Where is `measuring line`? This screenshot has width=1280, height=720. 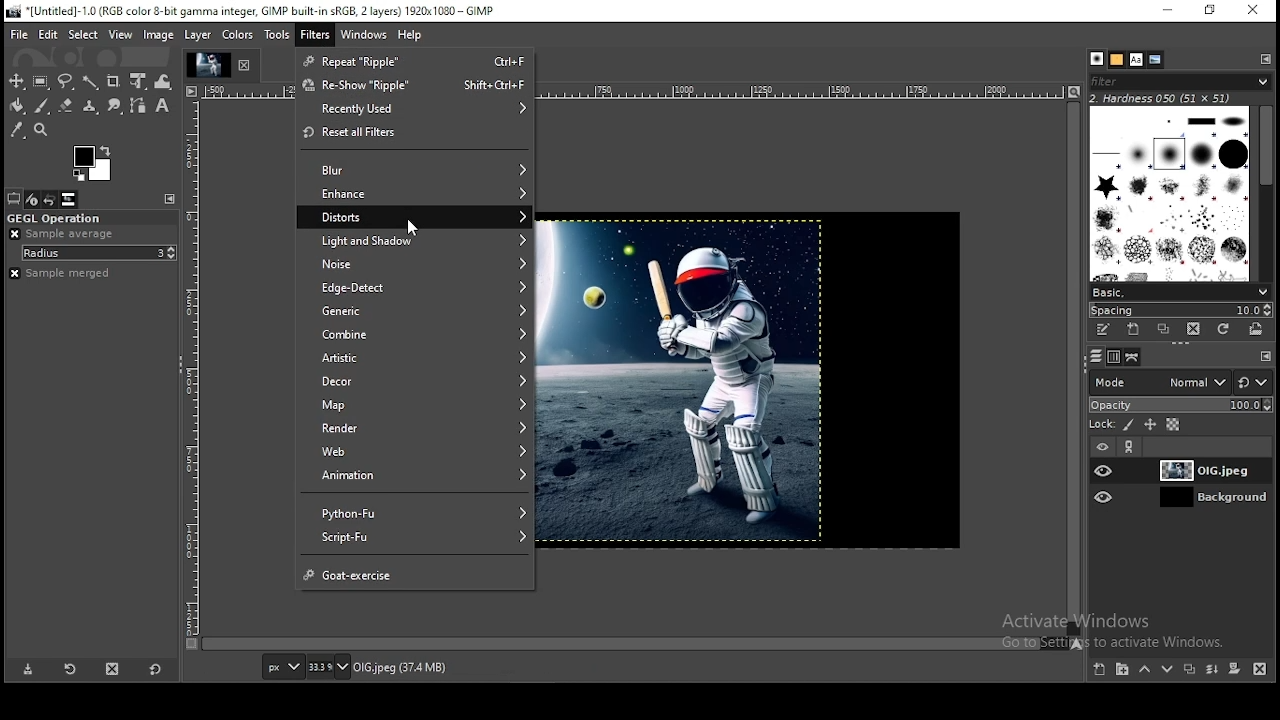 measuring line is located at coordinates (810, 91).